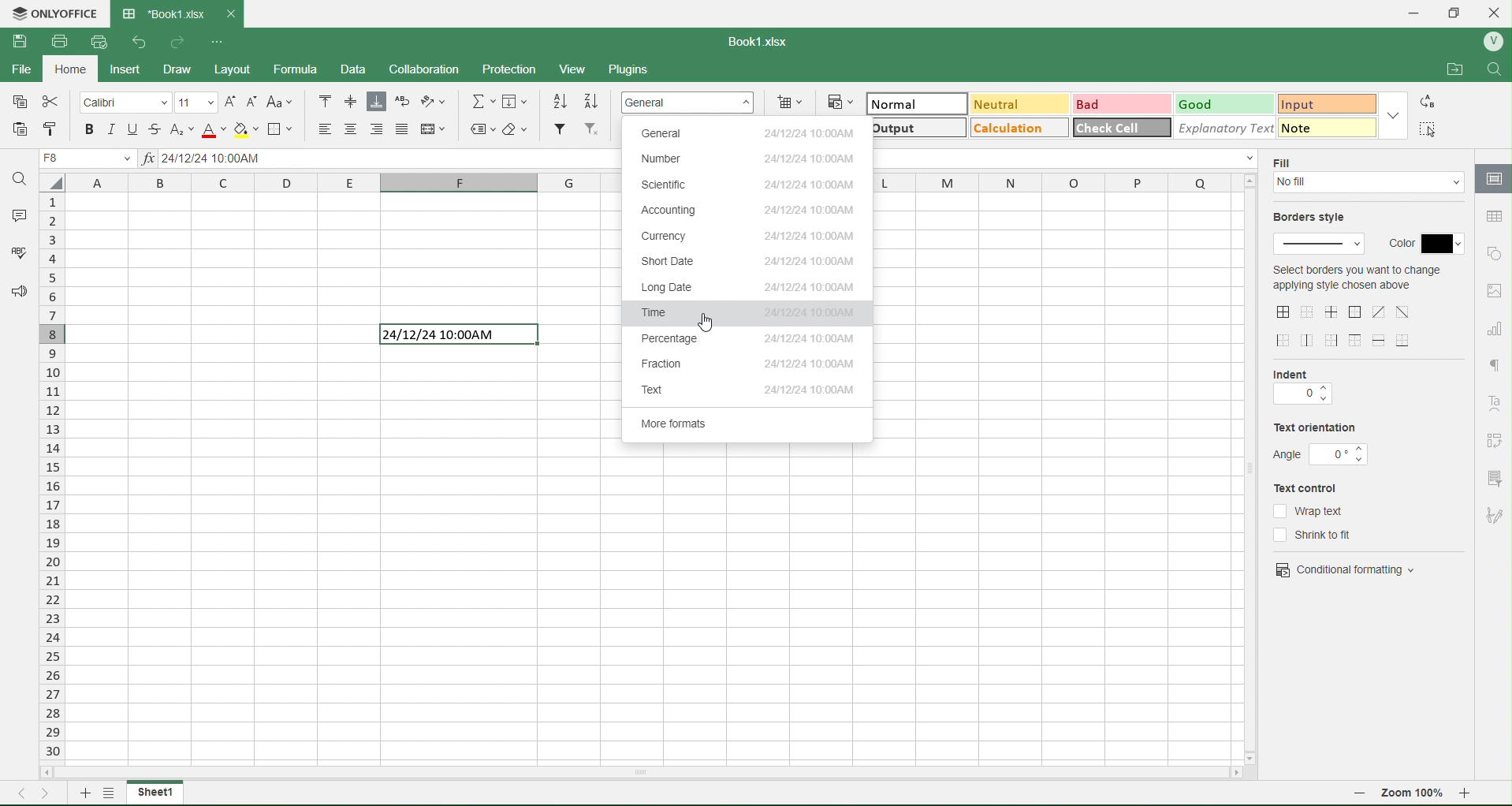 The height and width of the screenshot is (806, 1512). I want to click on link, so click(1495, 440).